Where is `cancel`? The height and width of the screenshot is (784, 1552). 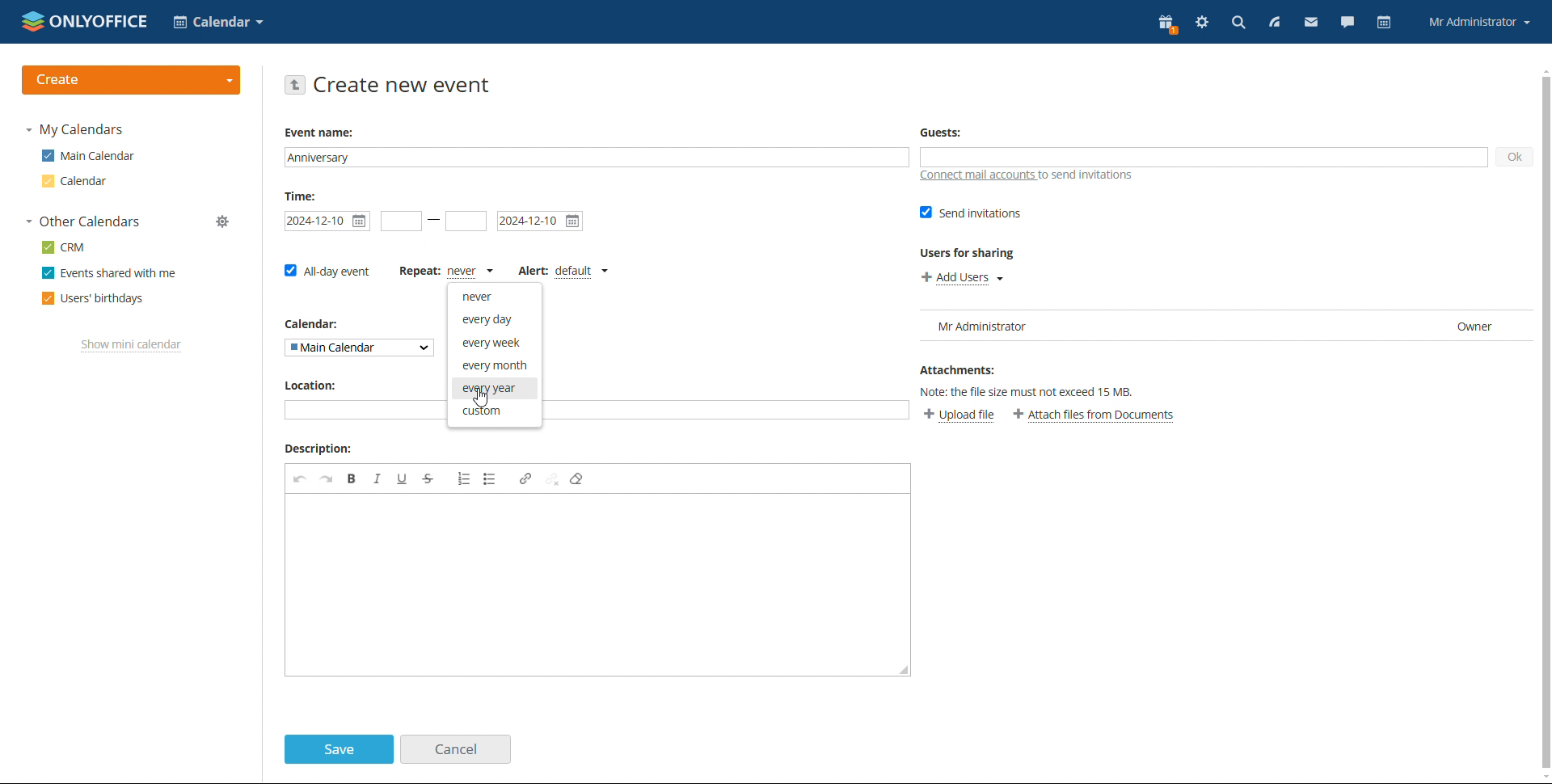
cancel is located at coordinates (455, 748).